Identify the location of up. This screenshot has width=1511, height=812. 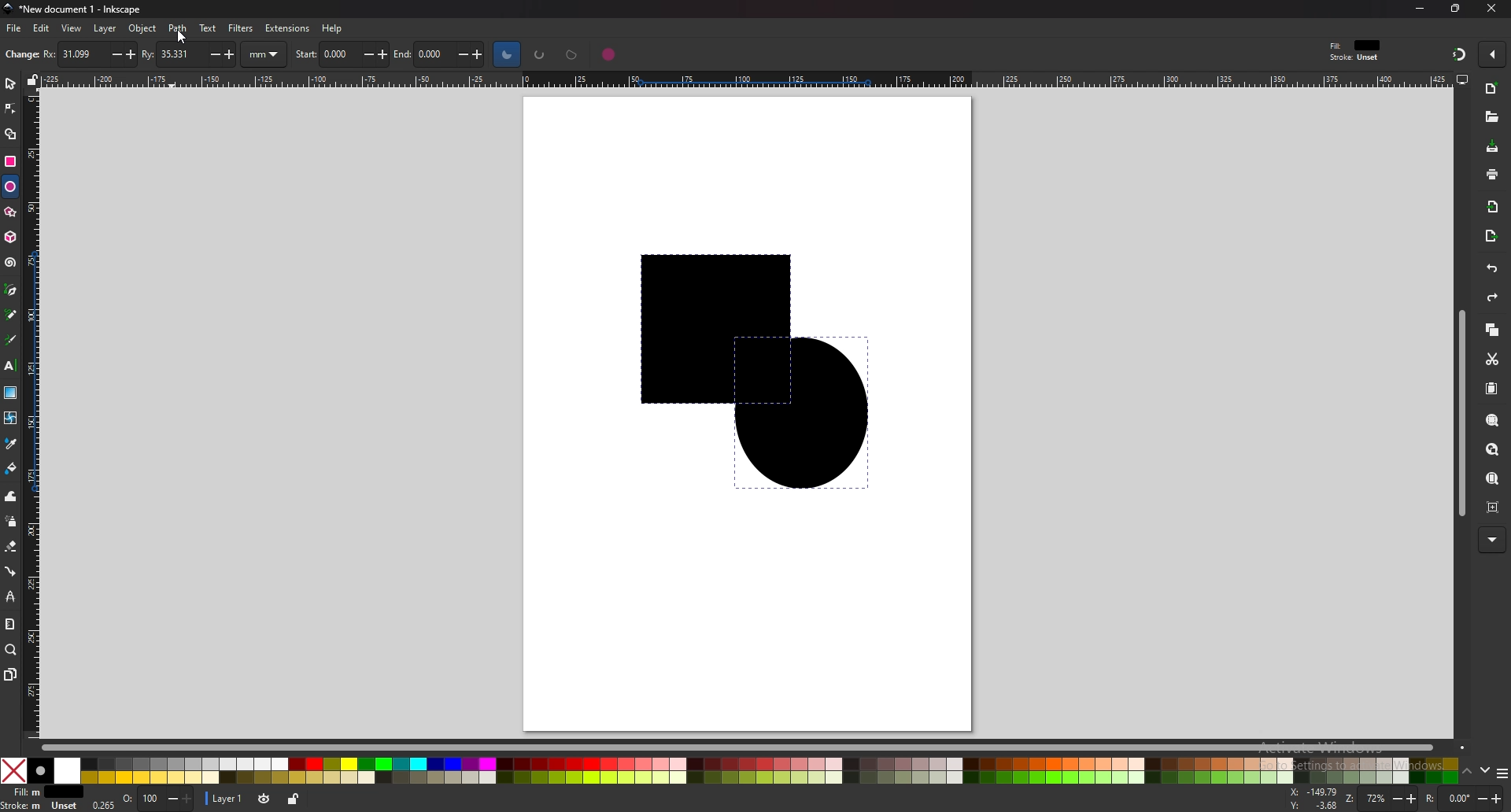
(1469, 772).